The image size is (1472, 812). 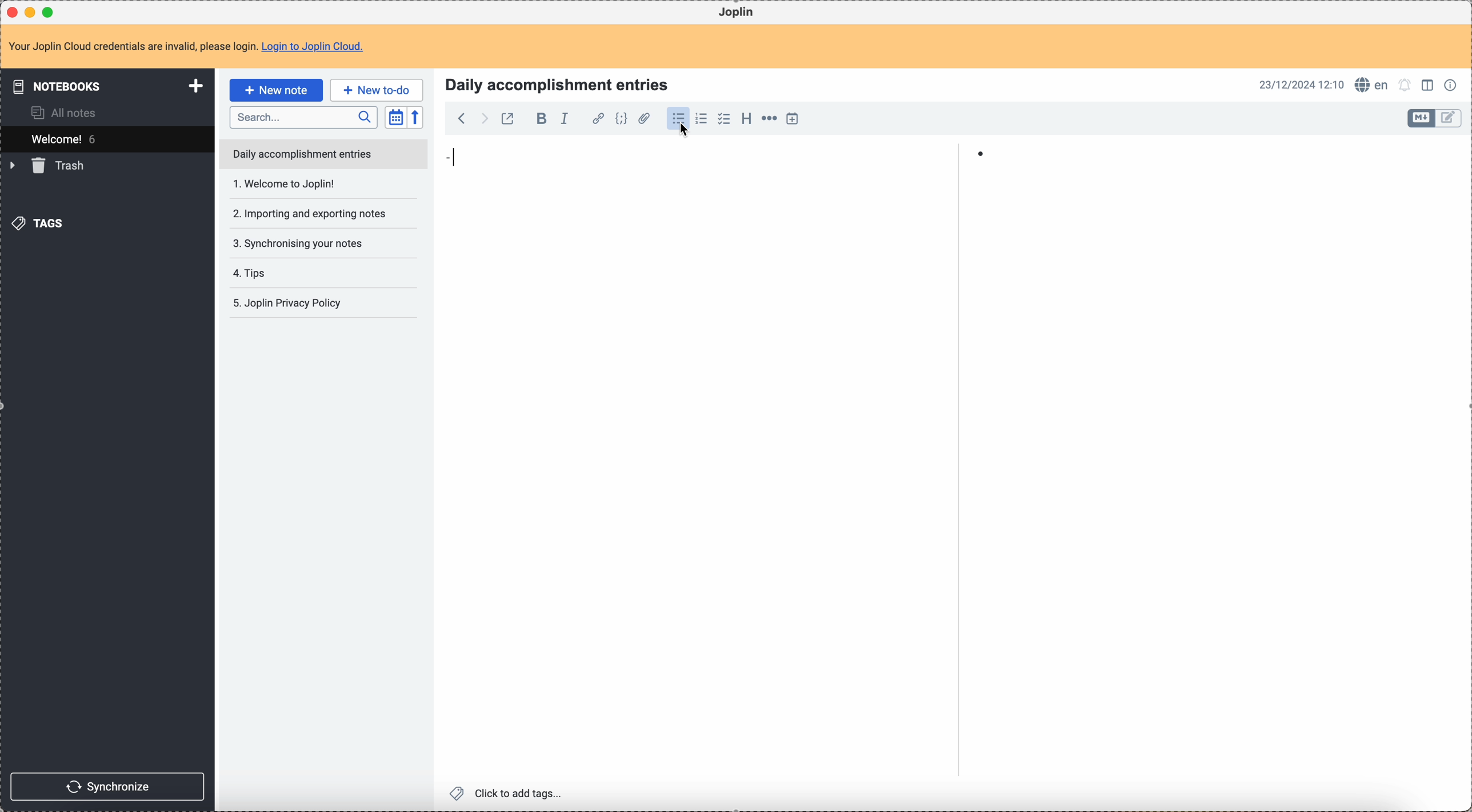 What do you see at coordinates (621, 119) in the screenshot?
I see `code` at bounding box center [621, 119].